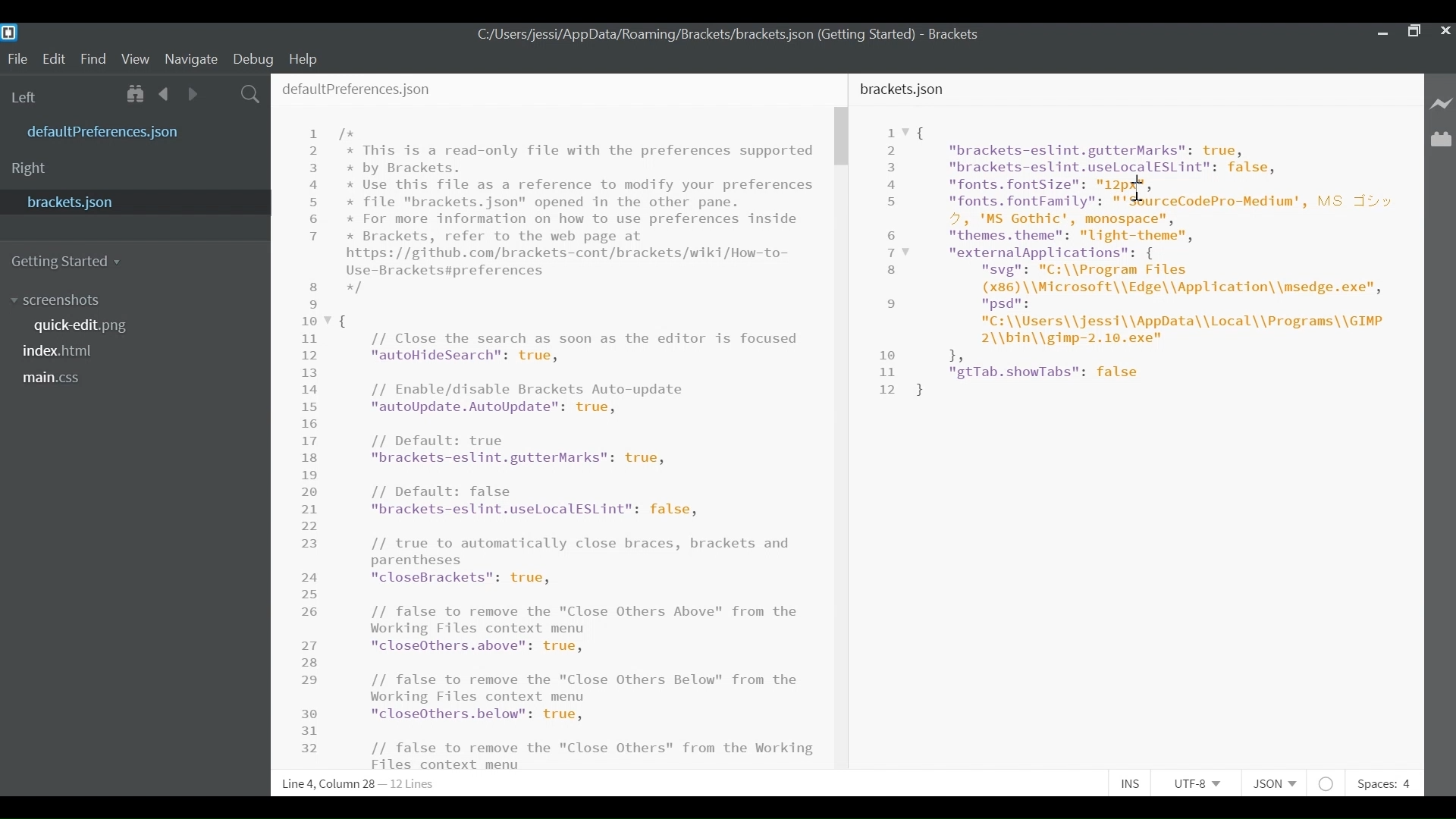 The width and height of the screenshot is (1456, 819). I want to click on index.html file, so click(64, 353).